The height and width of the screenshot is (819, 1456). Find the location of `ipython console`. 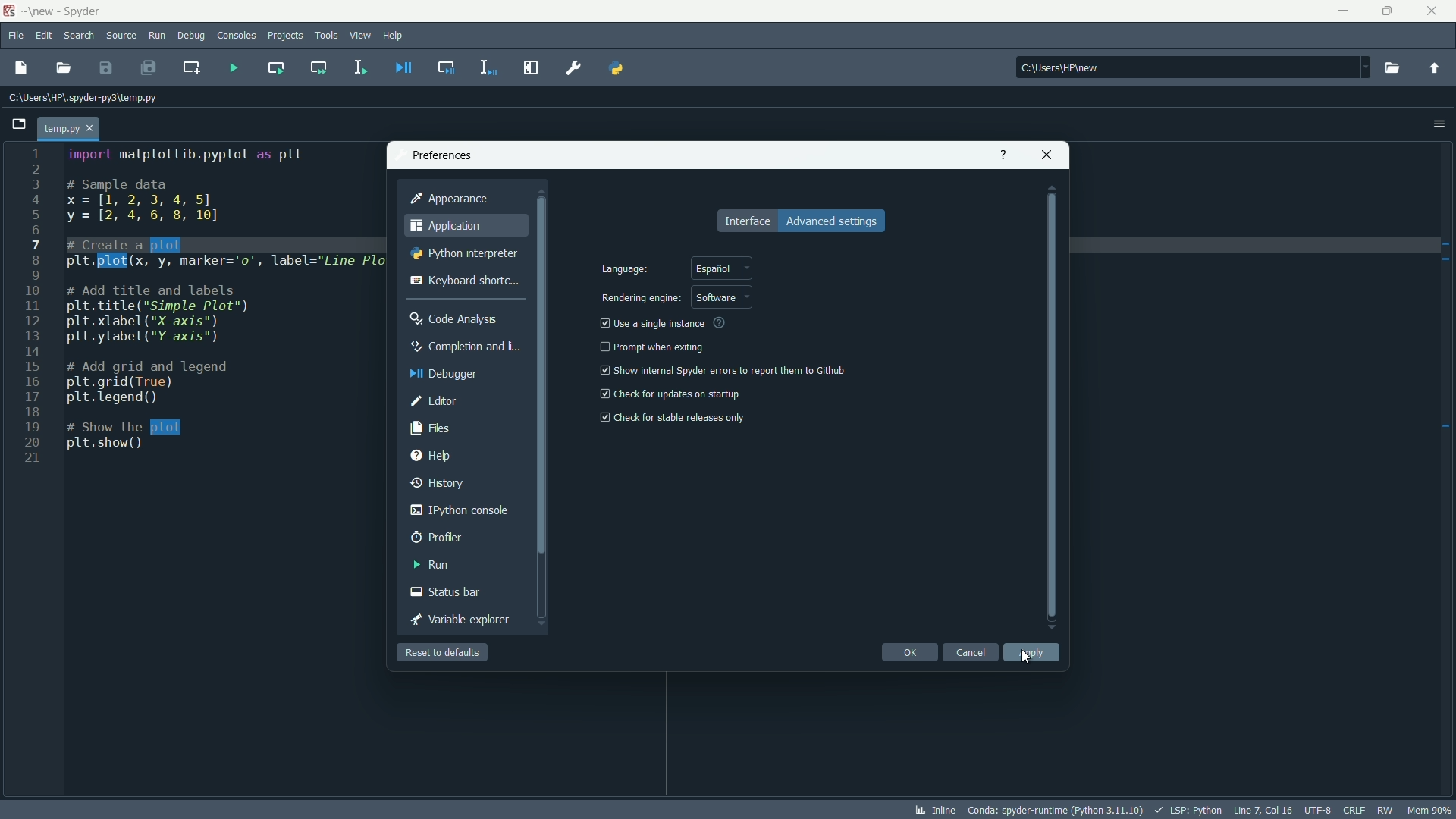

ipython console is located at coordinates (460, 509).